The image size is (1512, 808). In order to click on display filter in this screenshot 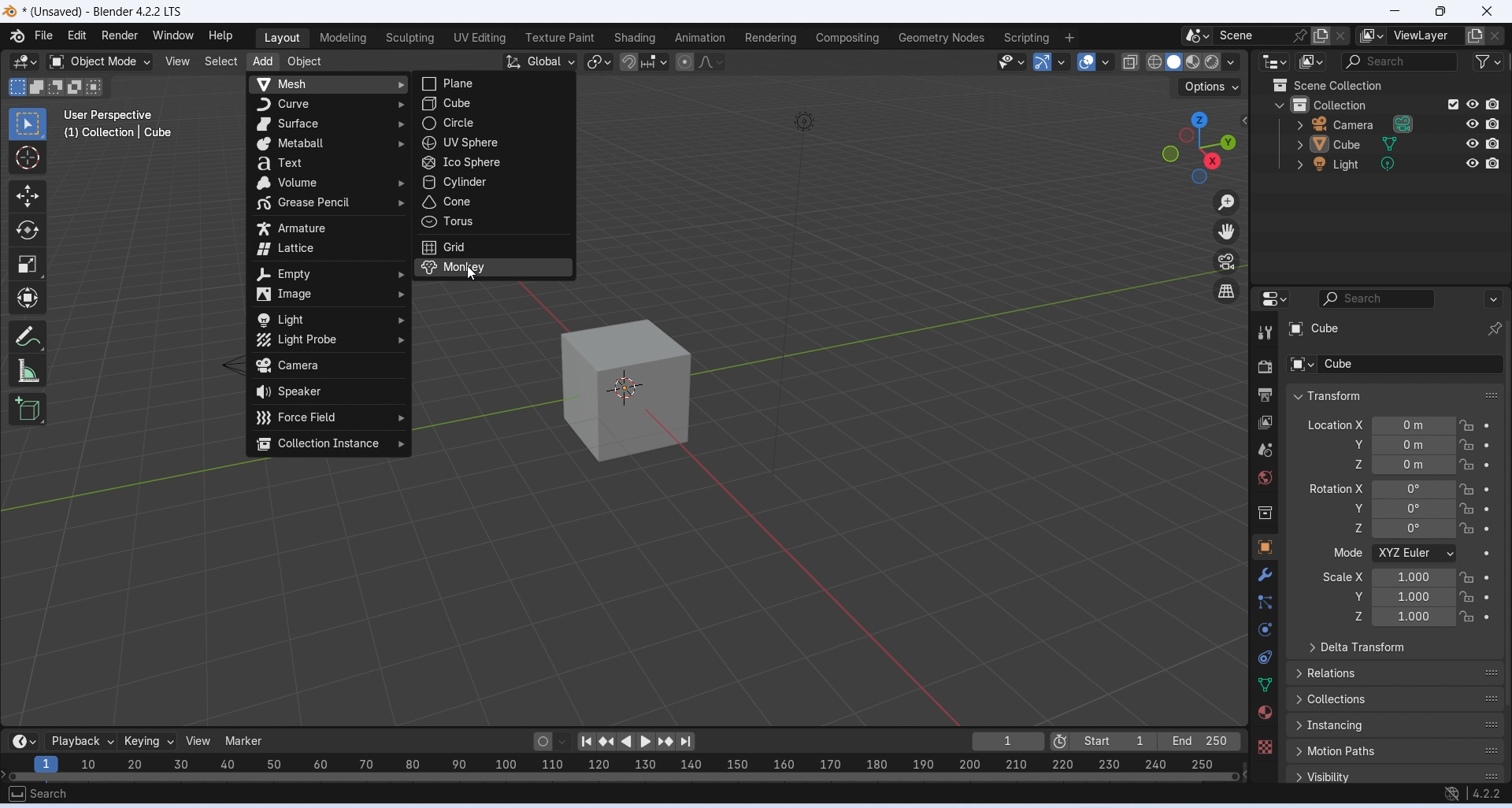, I will do `click(1398, 62)`.